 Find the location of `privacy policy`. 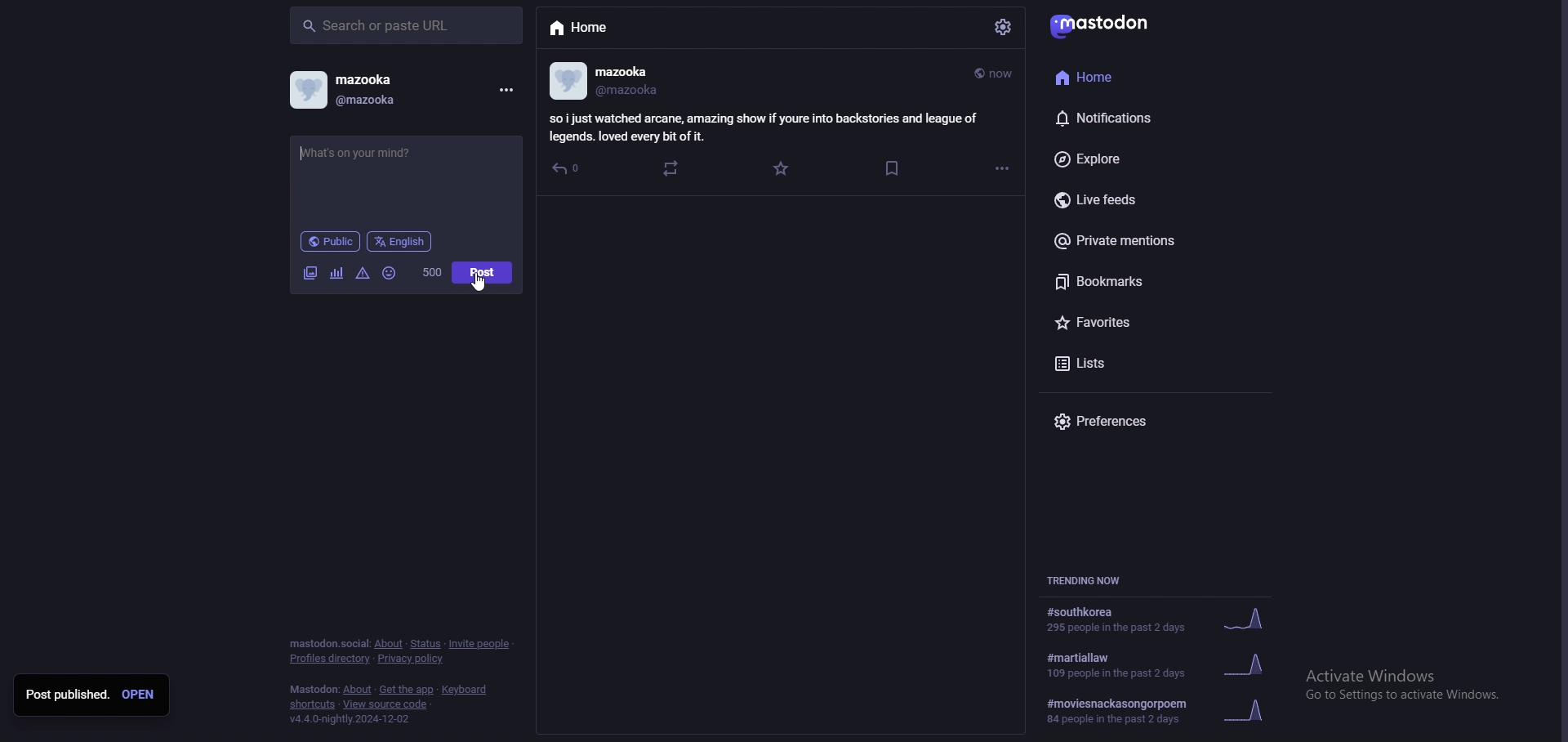

privacy policy is located at coordinates (414, 659).